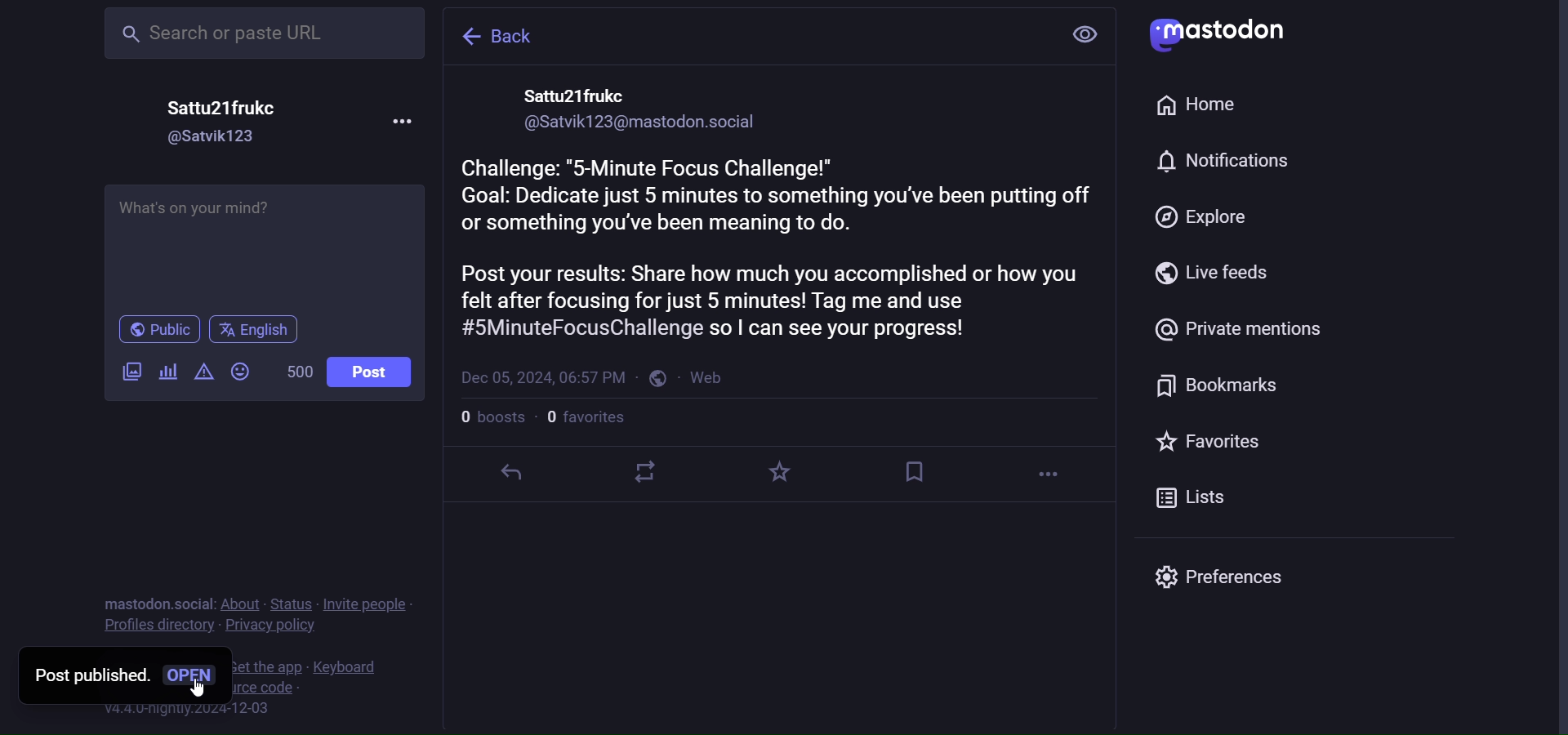  I want to click on reply, so click(515, 473).